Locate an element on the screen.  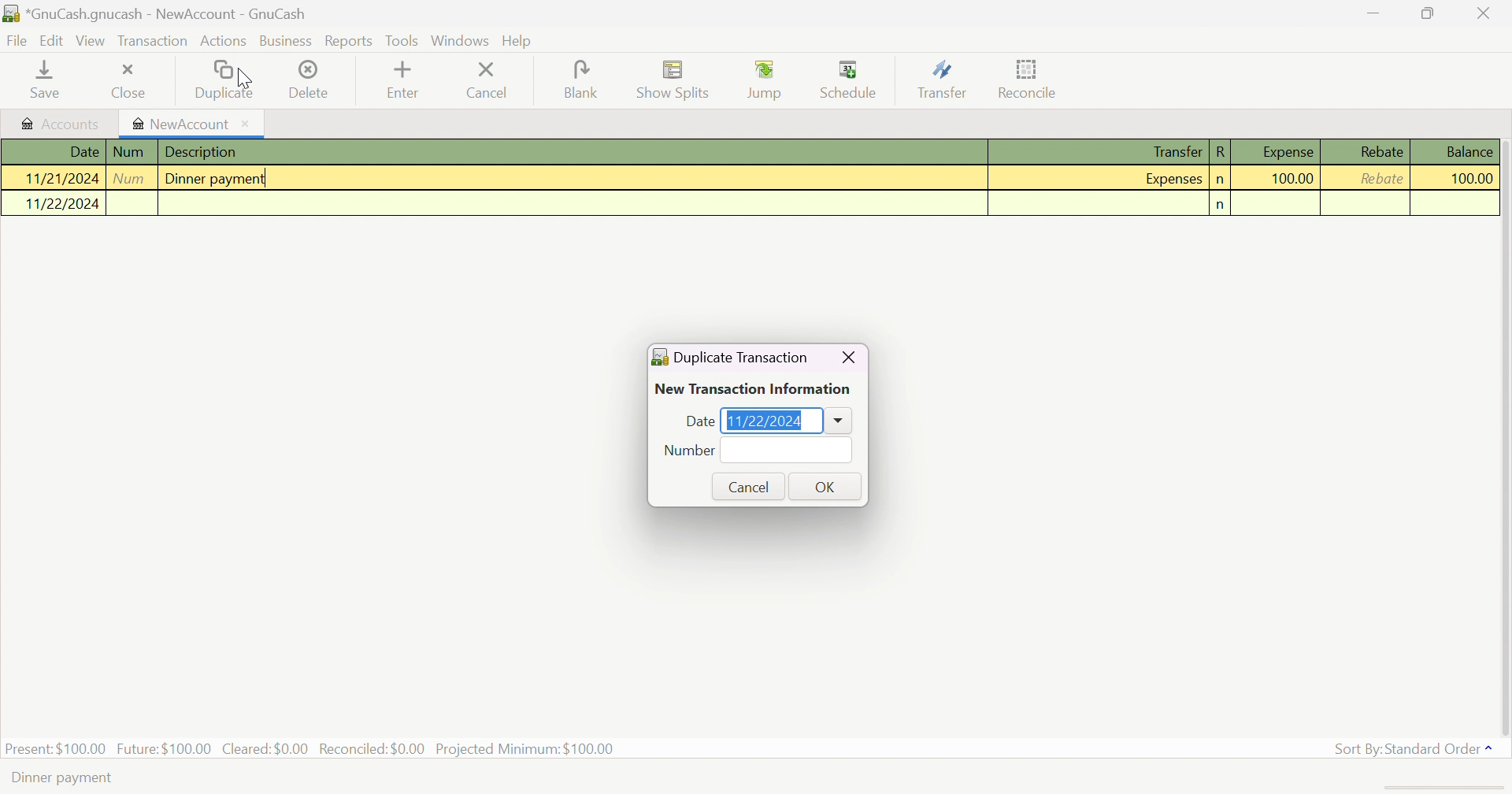
11/21/2024 is located at coordinates (60, 178).